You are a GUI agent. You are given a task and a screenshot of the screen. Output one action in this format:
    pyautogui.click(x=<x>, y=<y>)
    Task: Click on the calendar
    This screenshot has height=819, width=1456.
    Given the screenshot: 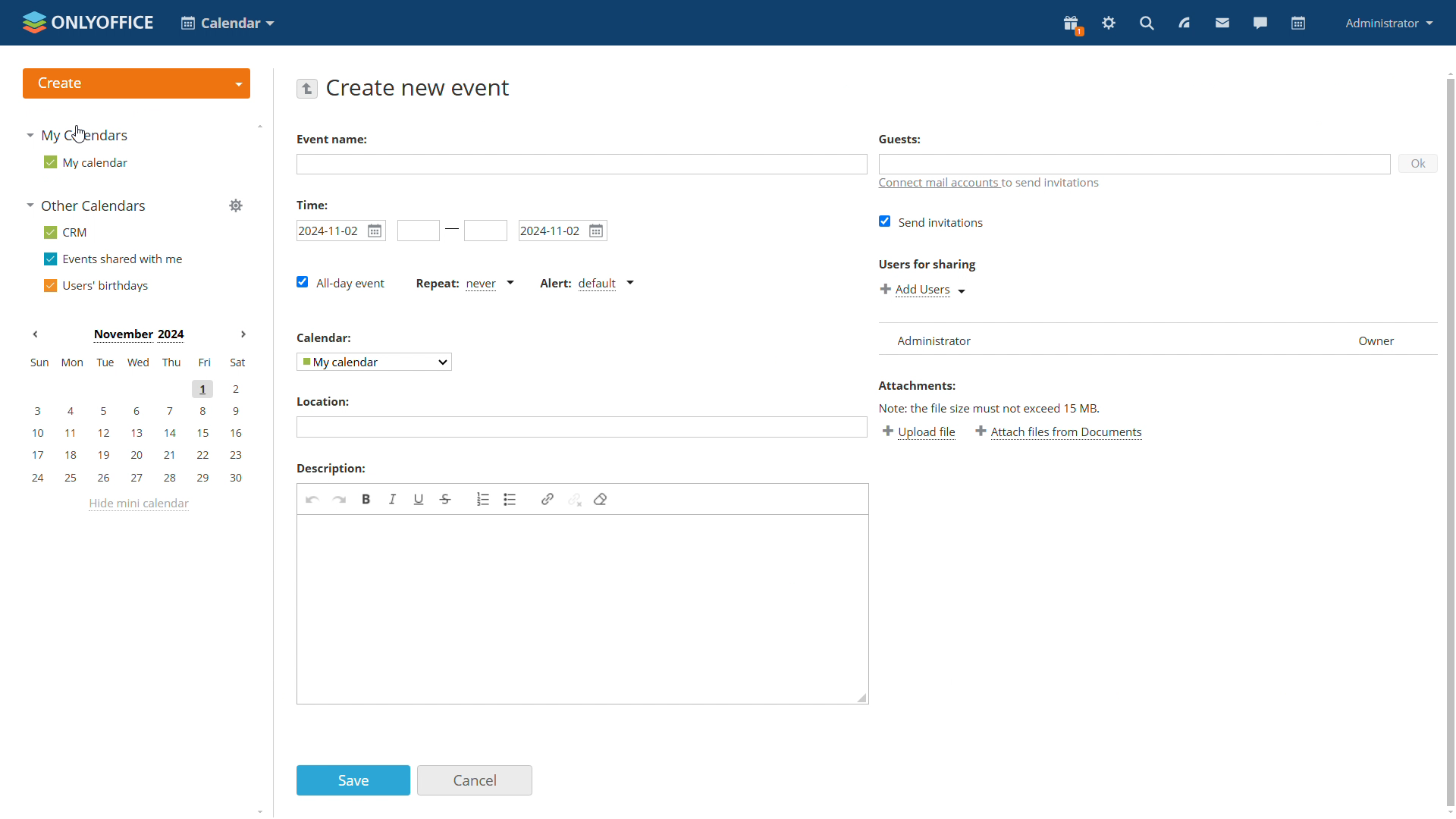 What is the action you would take?
    pyautogui.click(x=1299, y=24)
    